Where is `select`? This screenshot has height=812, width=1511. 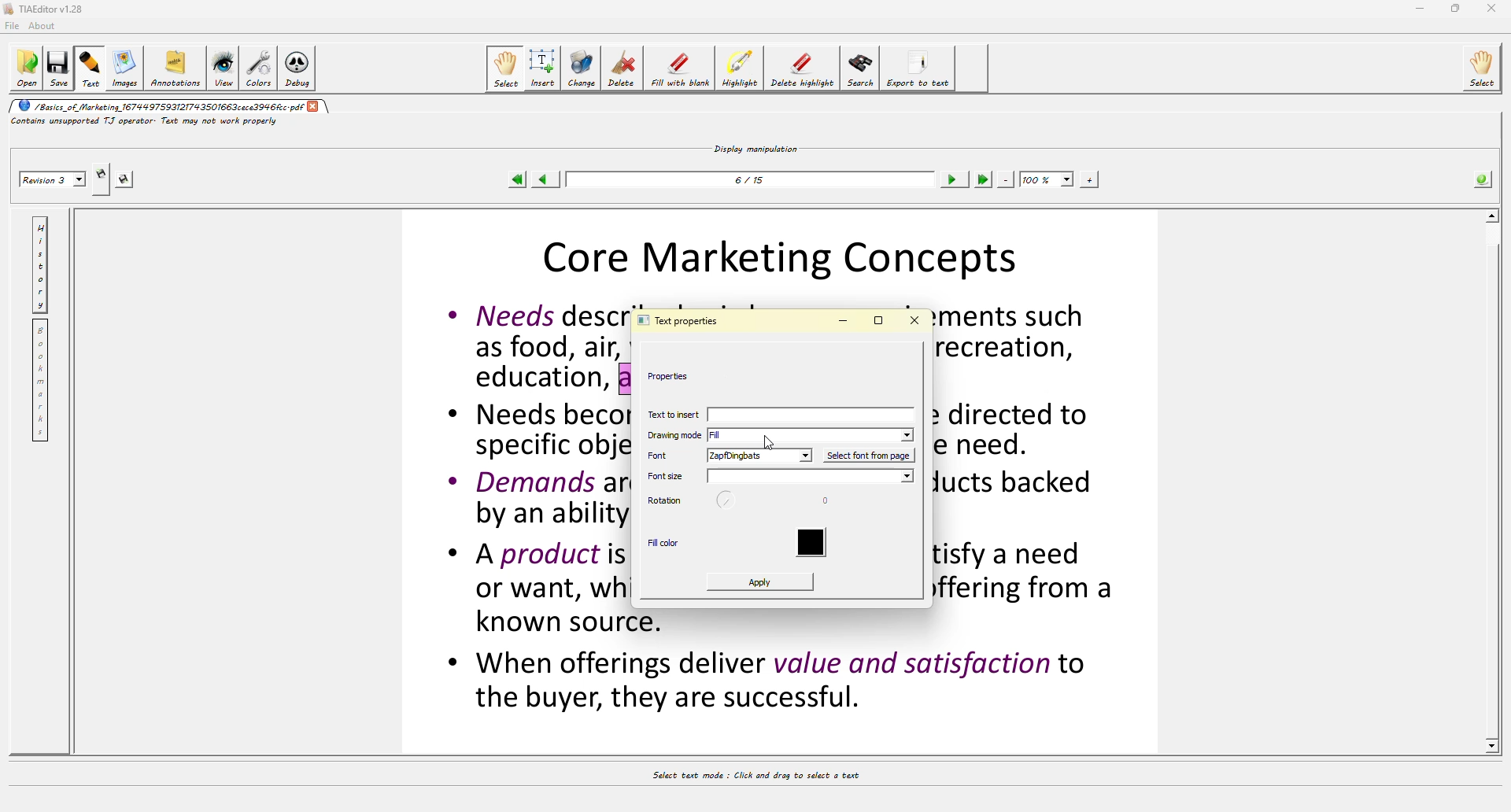 select is located at coordinates (1486, 66).